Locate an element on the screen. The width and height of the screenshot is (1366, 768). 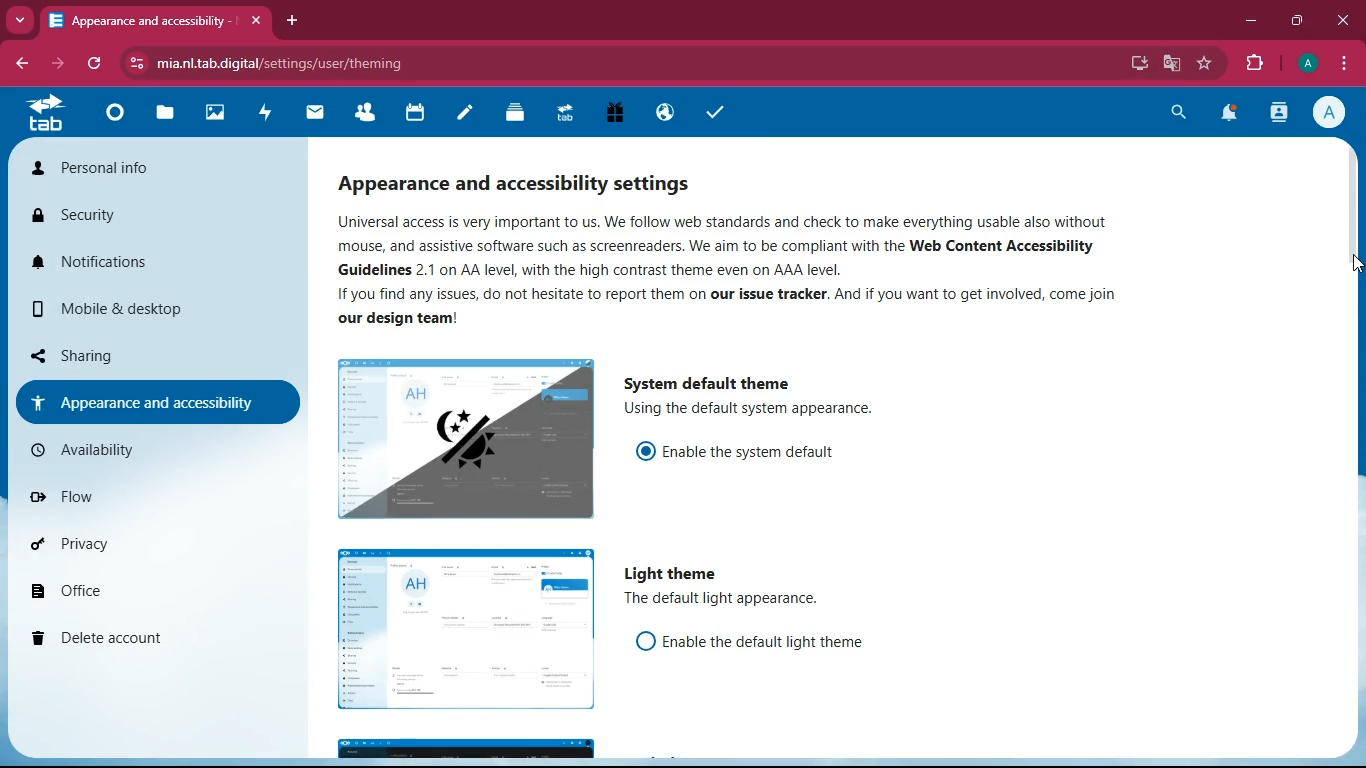
profile is located at coordinates (1333, 114).